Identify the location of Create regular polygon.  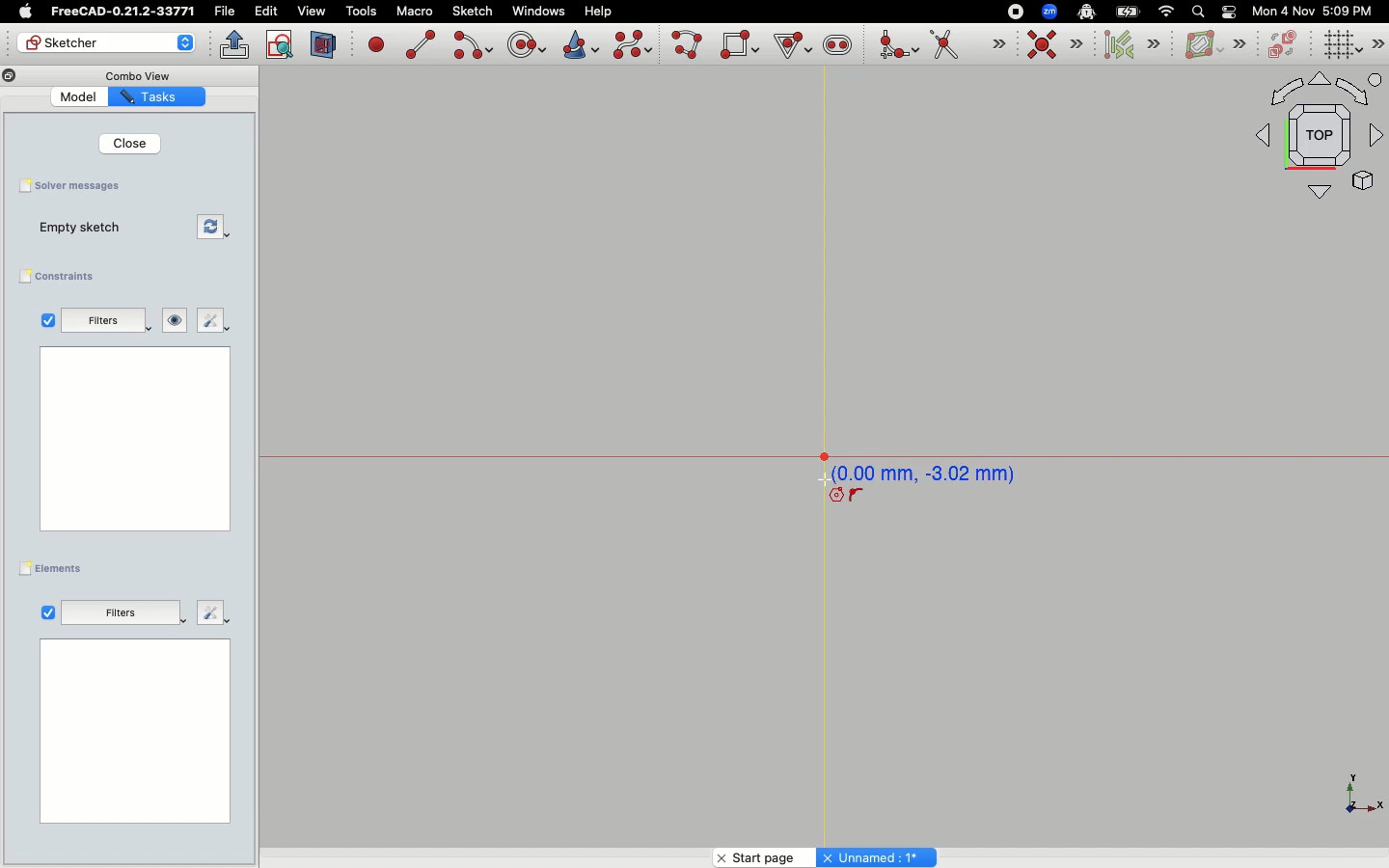
(789, 44).